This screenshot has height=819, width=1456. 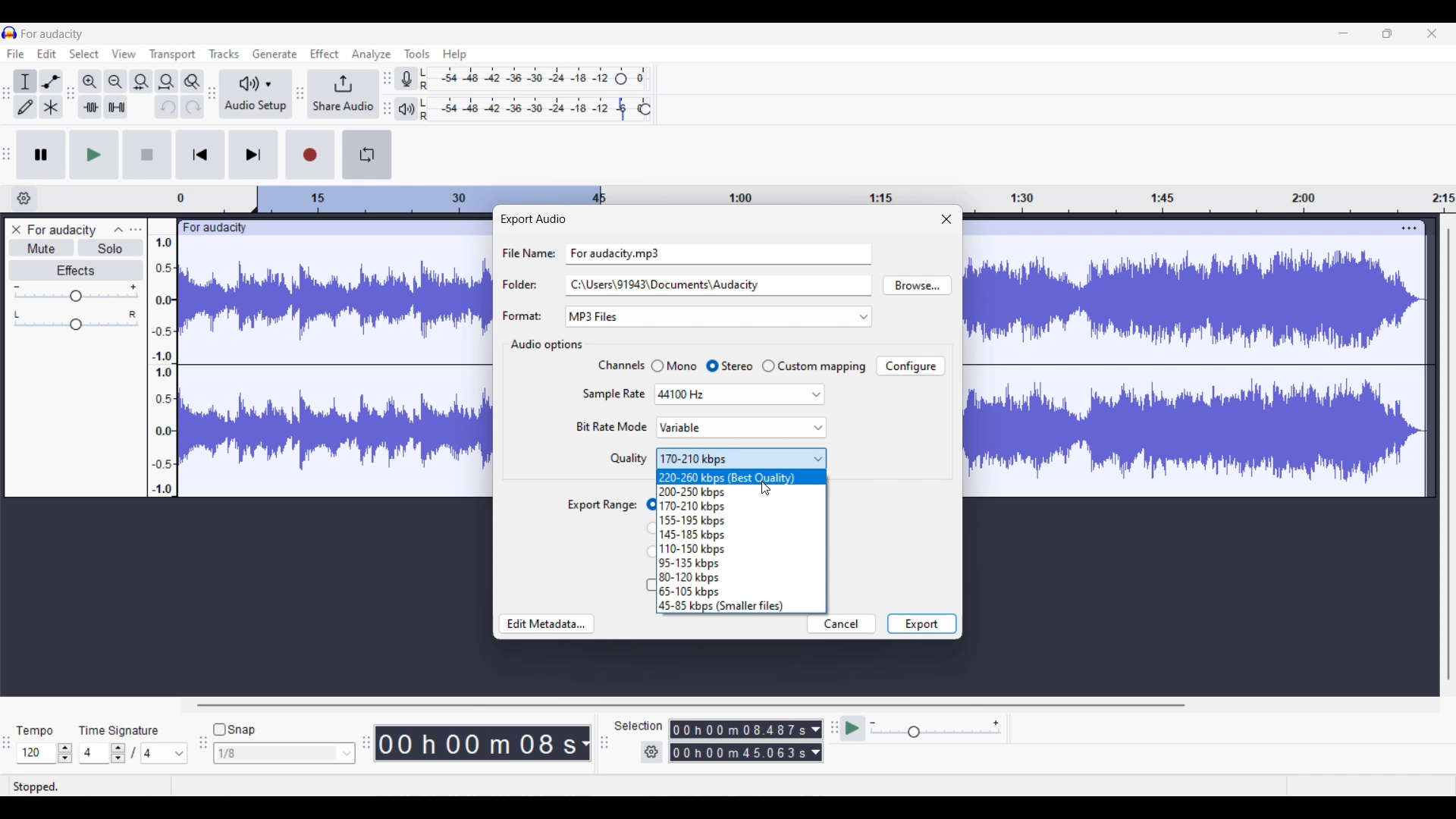 What do you see at coordinates (645, 582) in the screenshot?
I see `Toggle for trimming blank space ` at bounding box center [645, 582].